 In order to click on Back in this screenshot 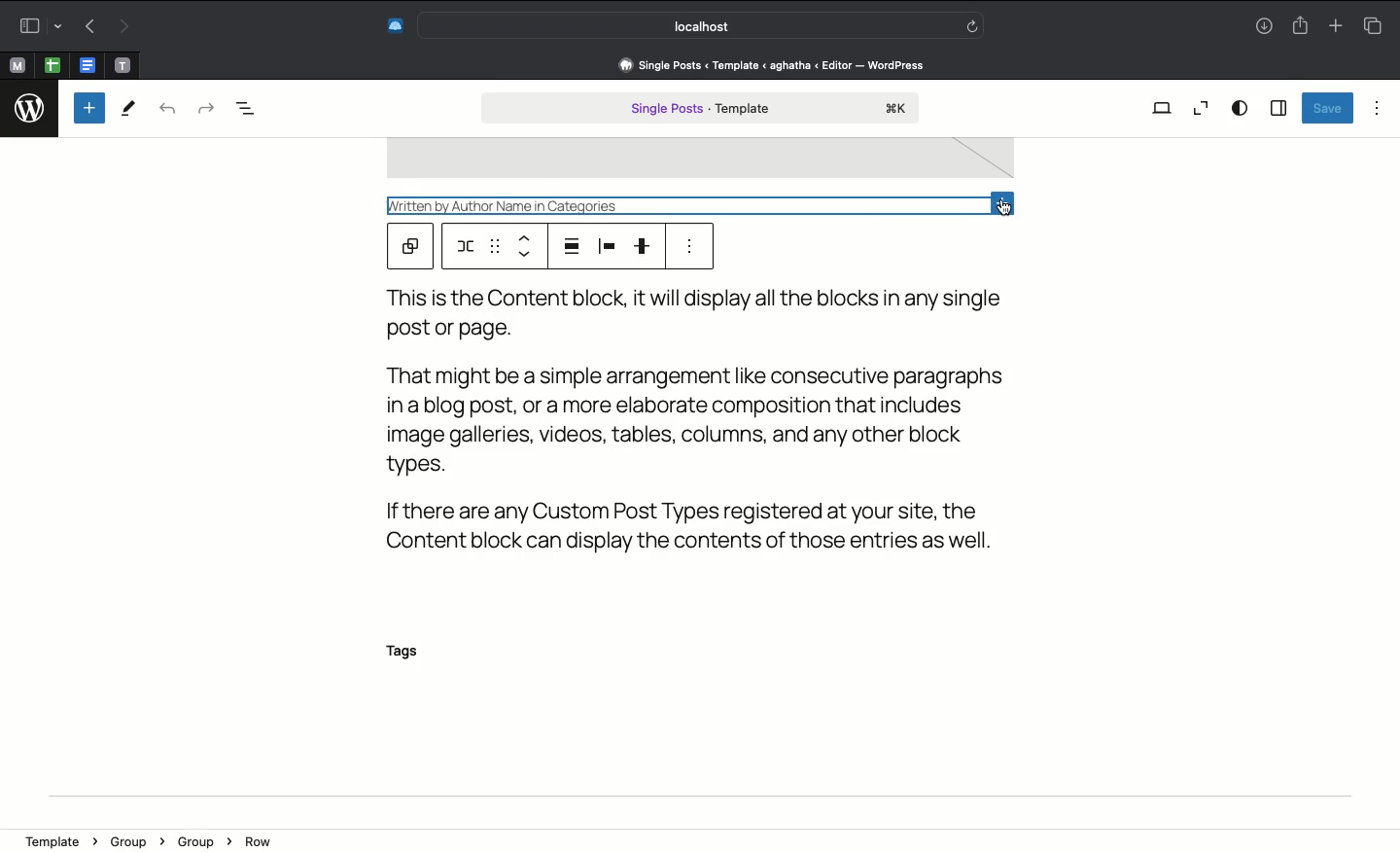, I will do `click(89, 27)`.